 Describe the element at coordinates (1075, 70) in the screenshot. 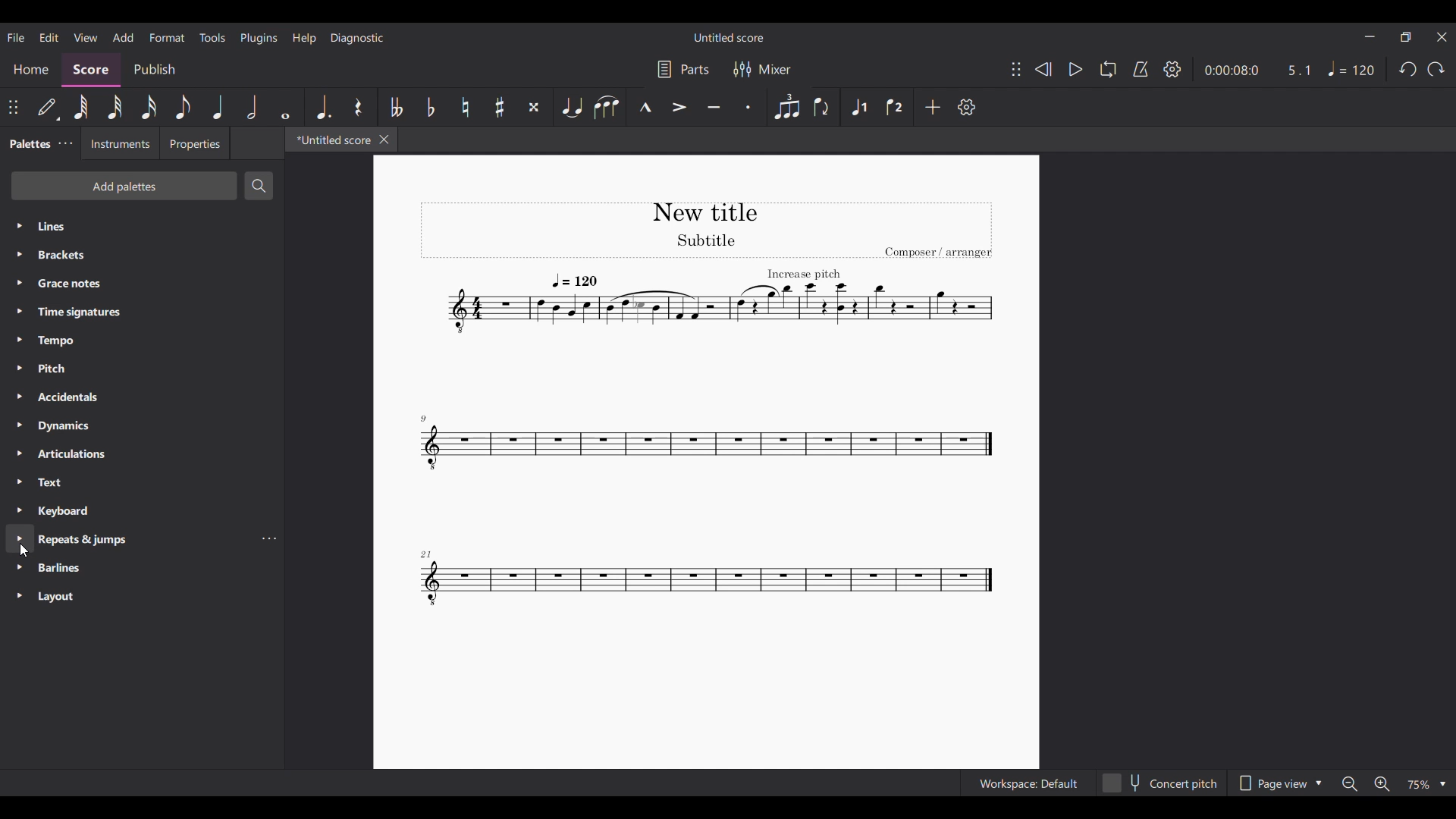

I see `Play` at that location.